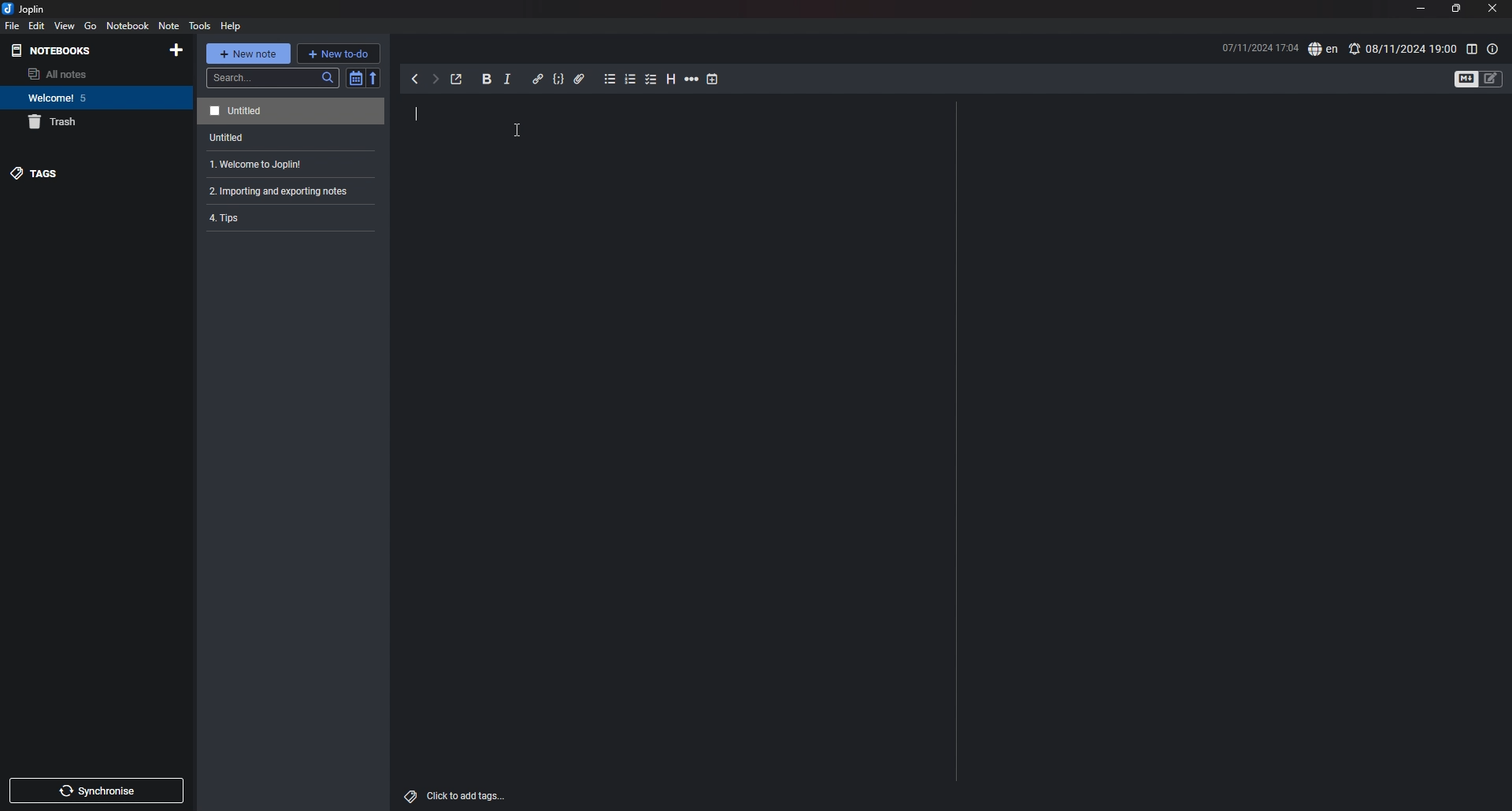  Describe the element at coordinates (435, 80) in the screenshot. I see `forward` at that location.